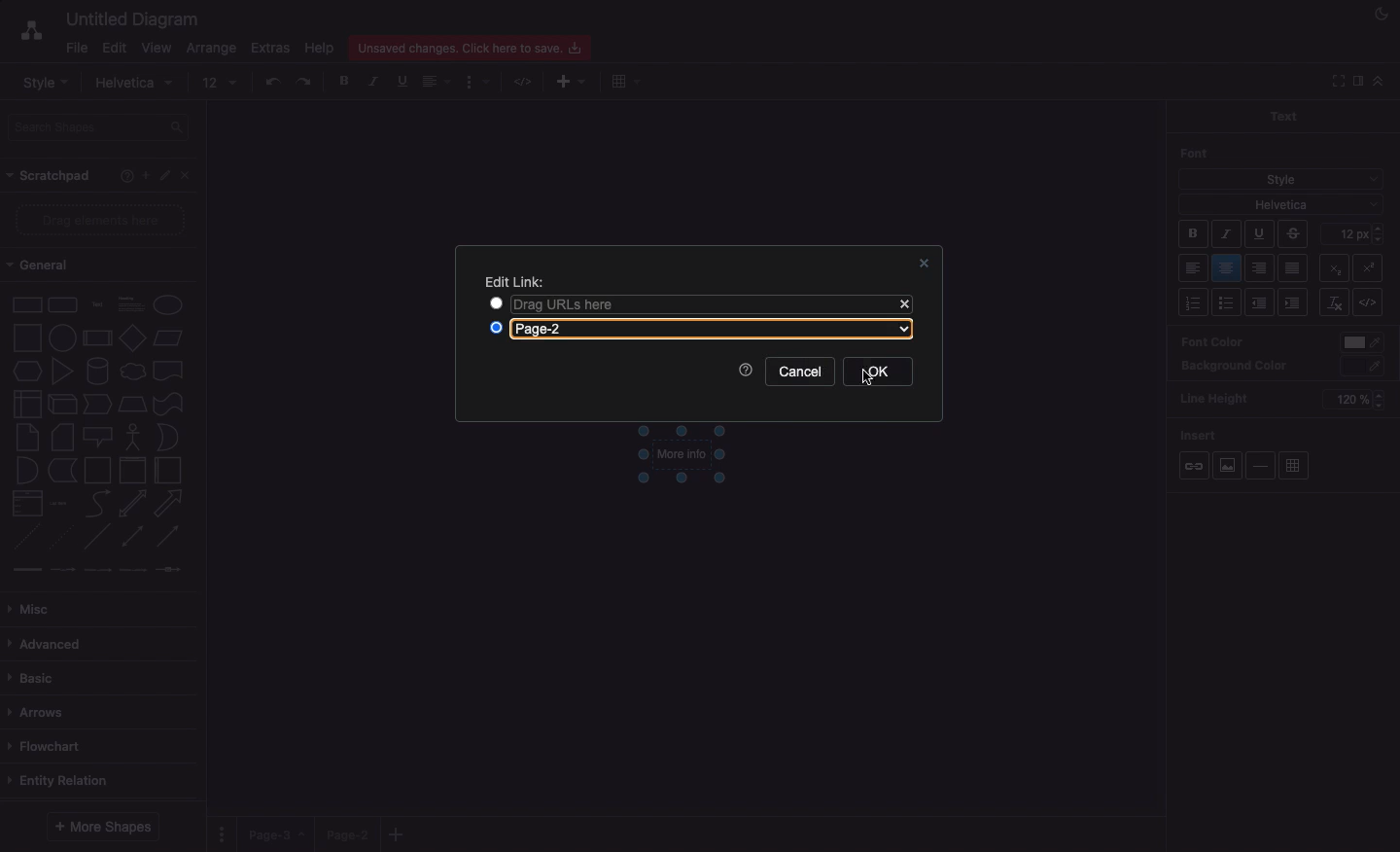 This screenshot has height=852, width=1400. I want to click on Center aligned, so click(1228, 268).